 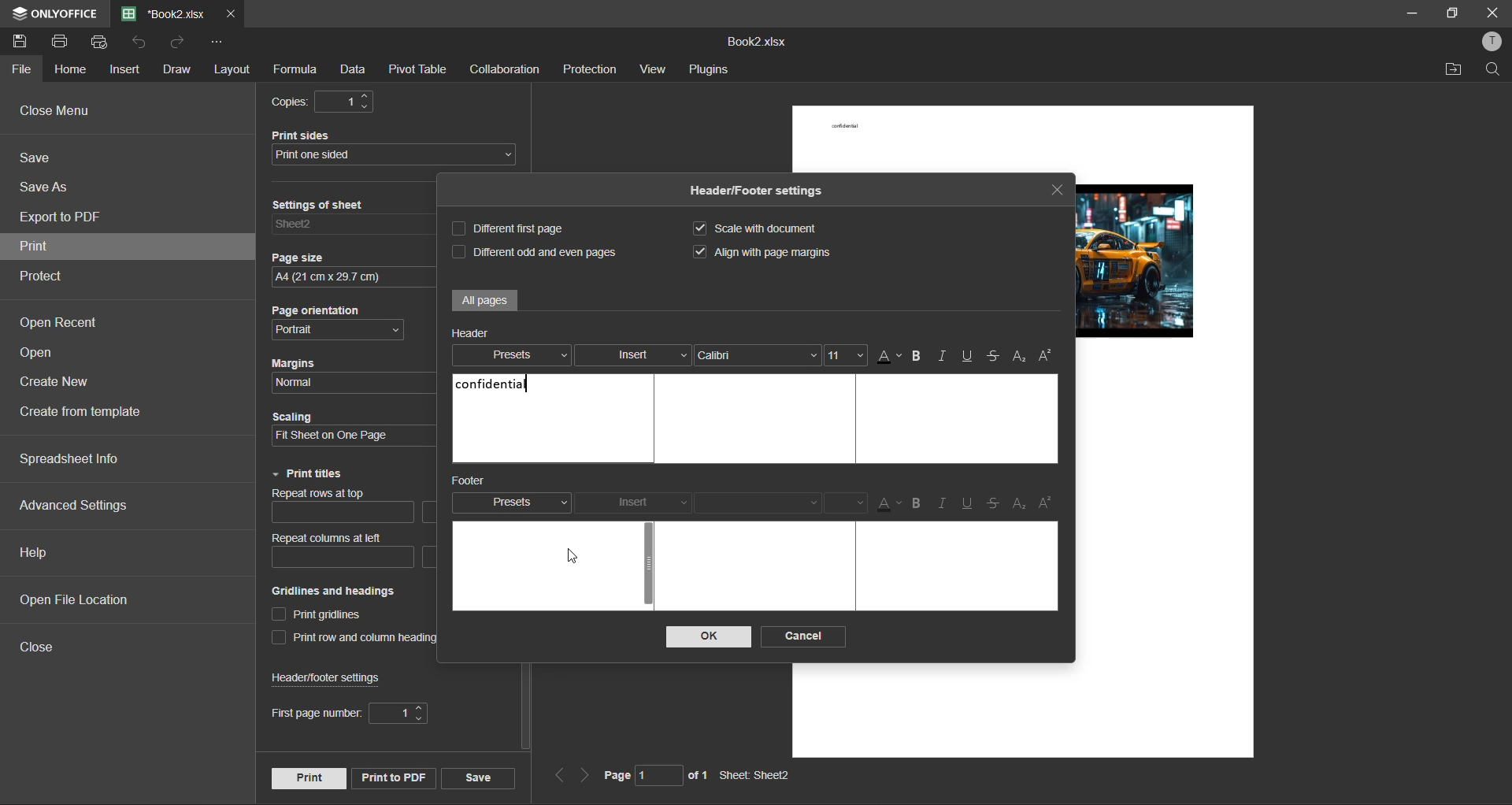 What do you see at coordinates (335, 591) in the screenshot?
I see `Gridlines and headings` at bounding box center [335, 591].